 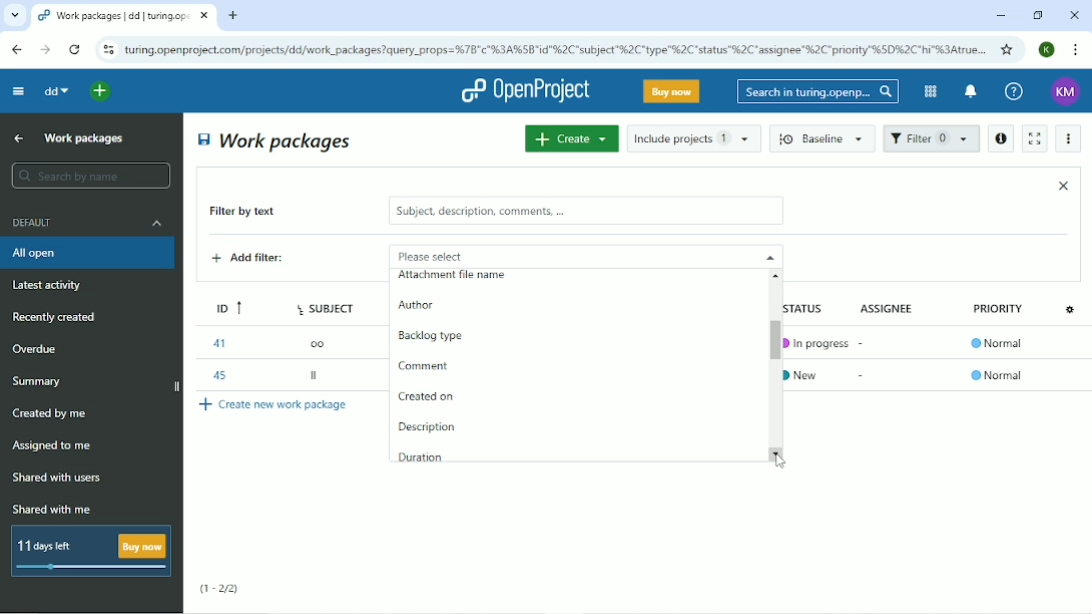 What do you see at coordinates (257, 213) in the screenshot?
I see `Filter by text` at bounding box center [257, 213].